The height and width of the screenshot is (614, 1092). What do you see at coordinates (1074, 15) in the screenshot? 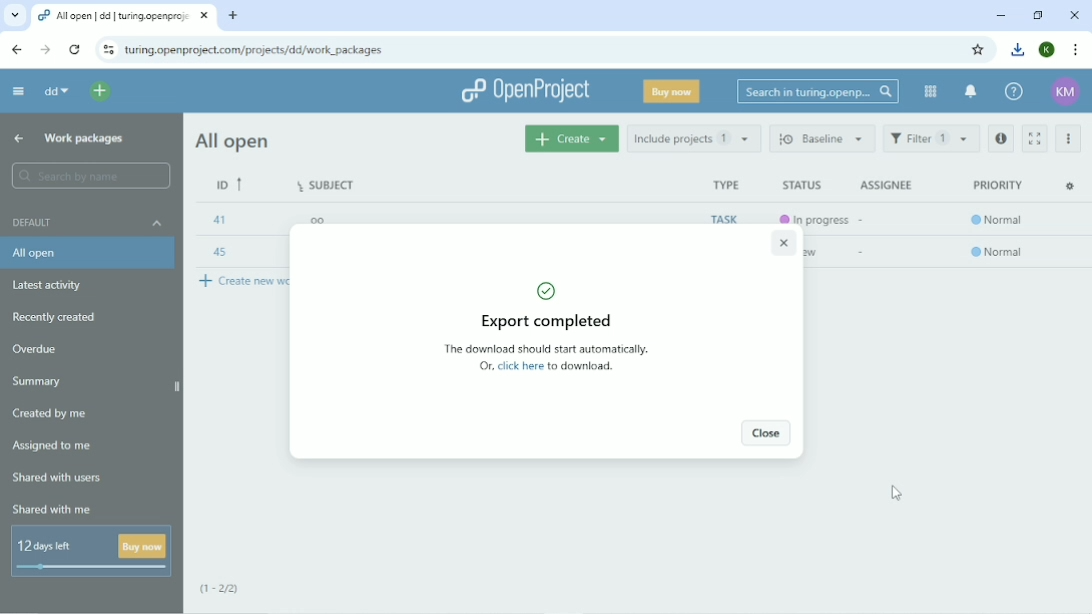
I see `Close` at bounding box center [1074, 15].